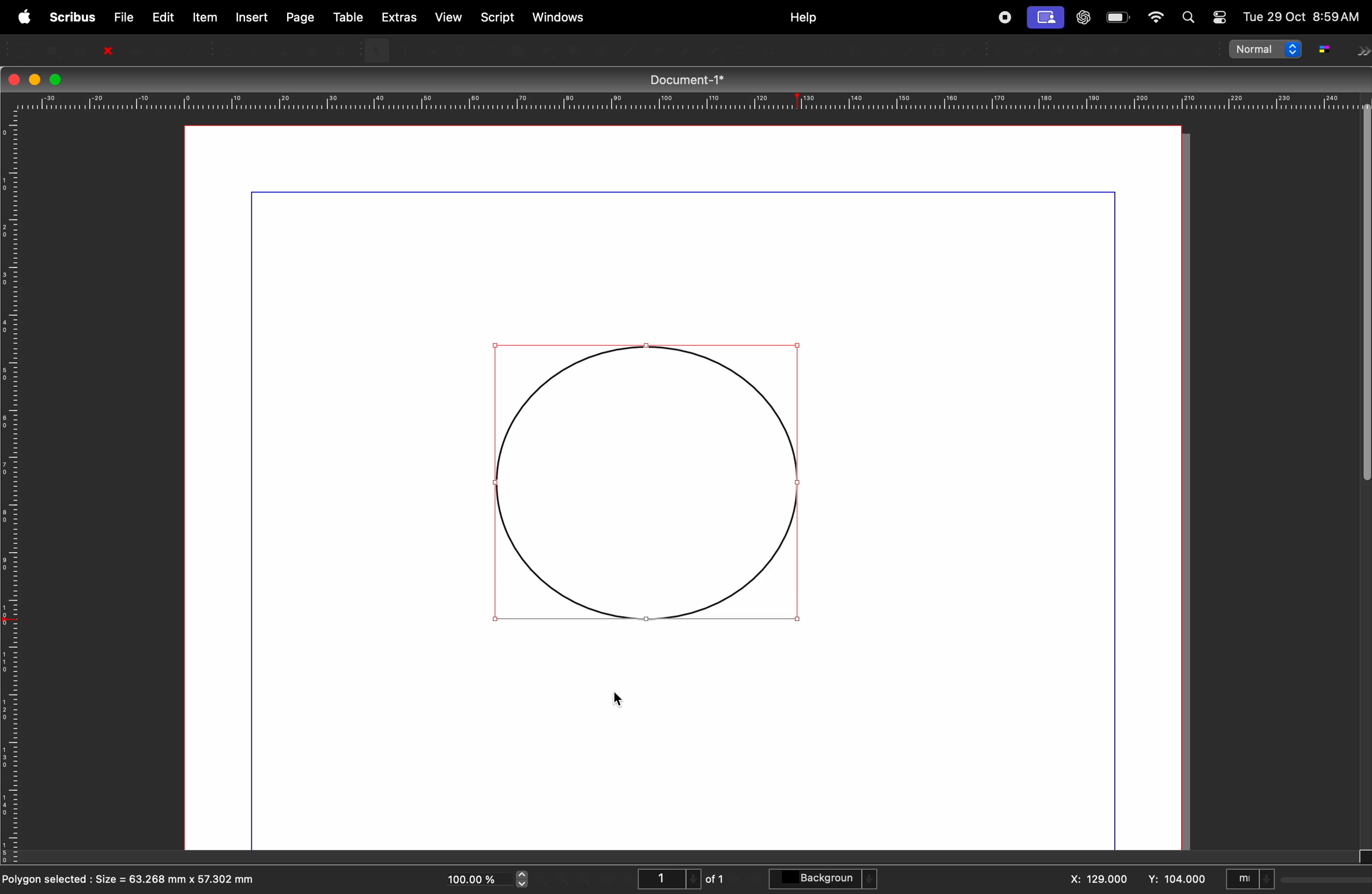 The image size is (1372, 894). I want to click on Link annotation, so click(1198, 50).